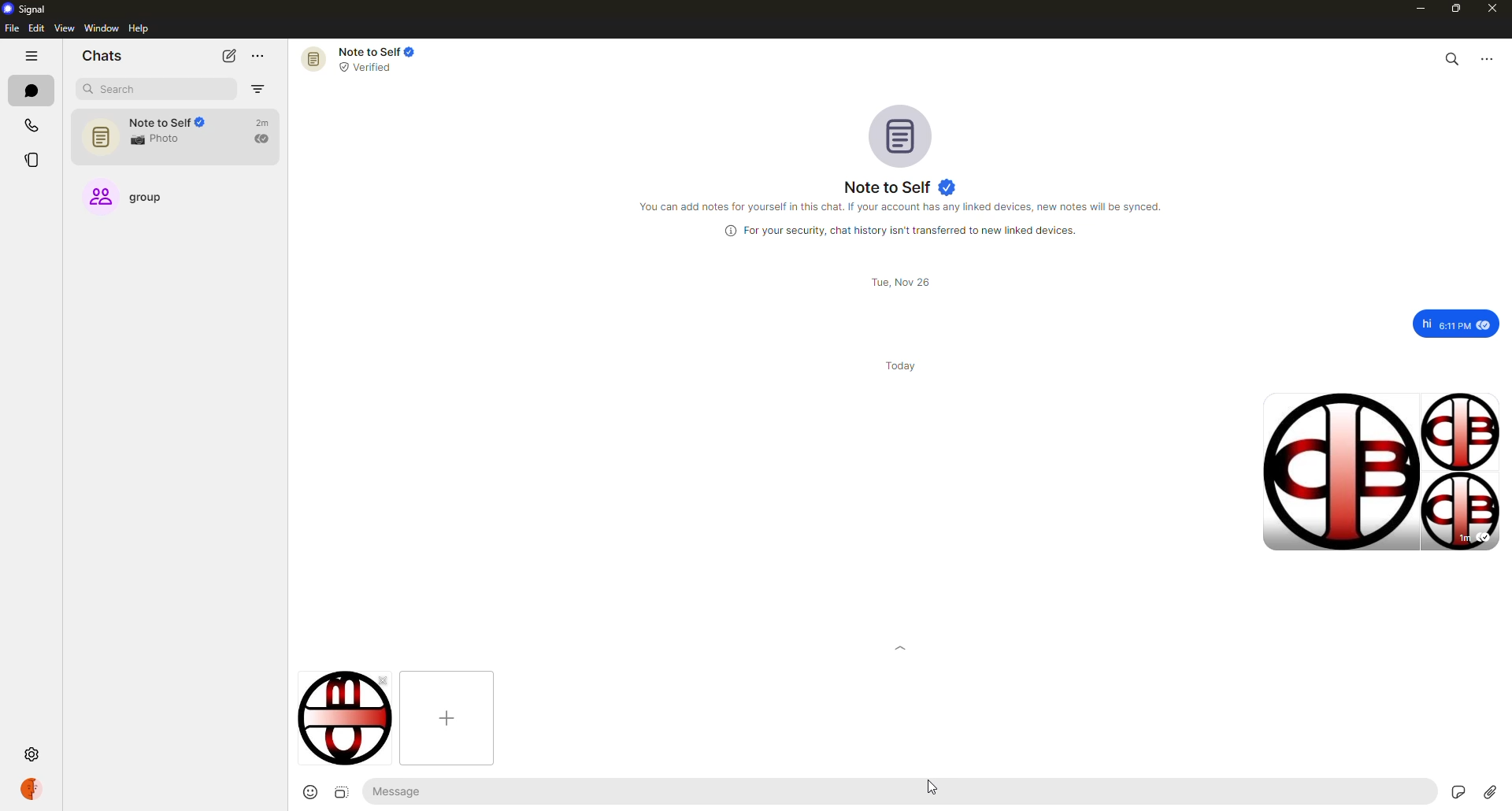 This screenshot has height=811, width=1512. I want to click on settings, so click(31, 755).